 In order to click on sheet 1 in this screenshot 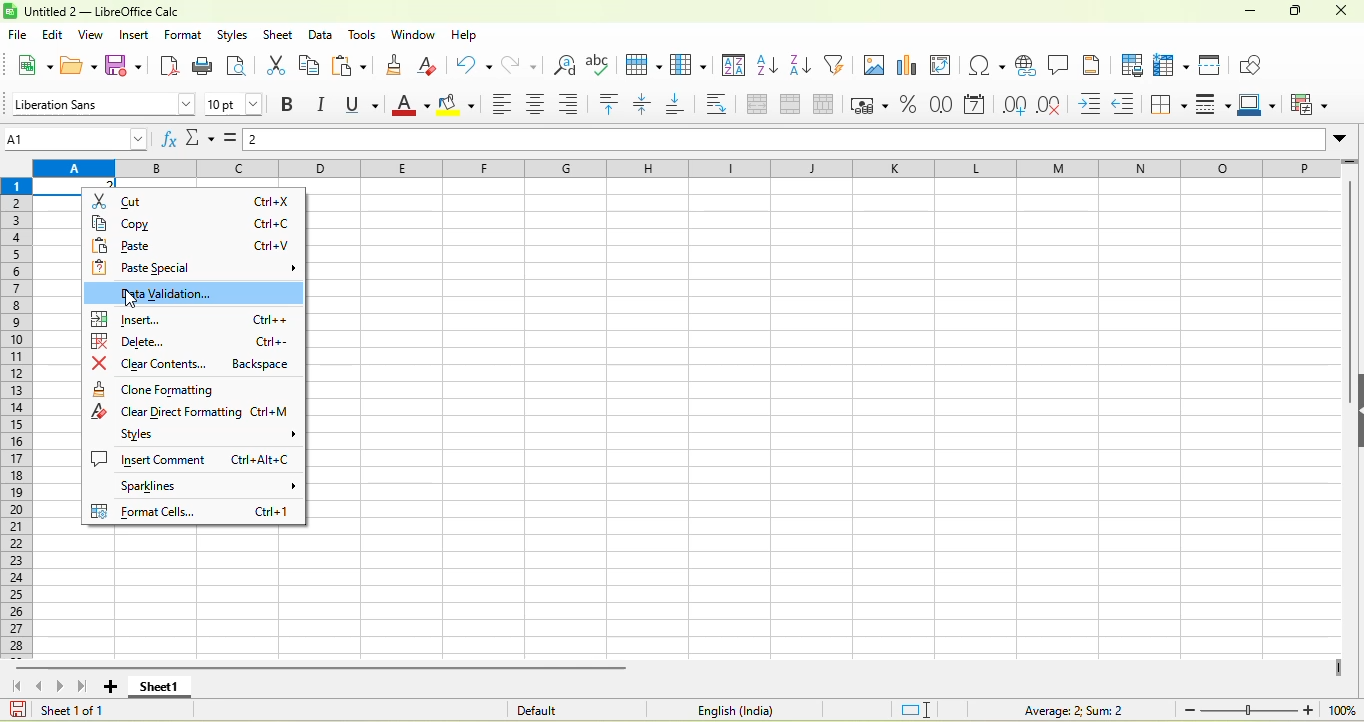, I will do `click(166, 687)`.